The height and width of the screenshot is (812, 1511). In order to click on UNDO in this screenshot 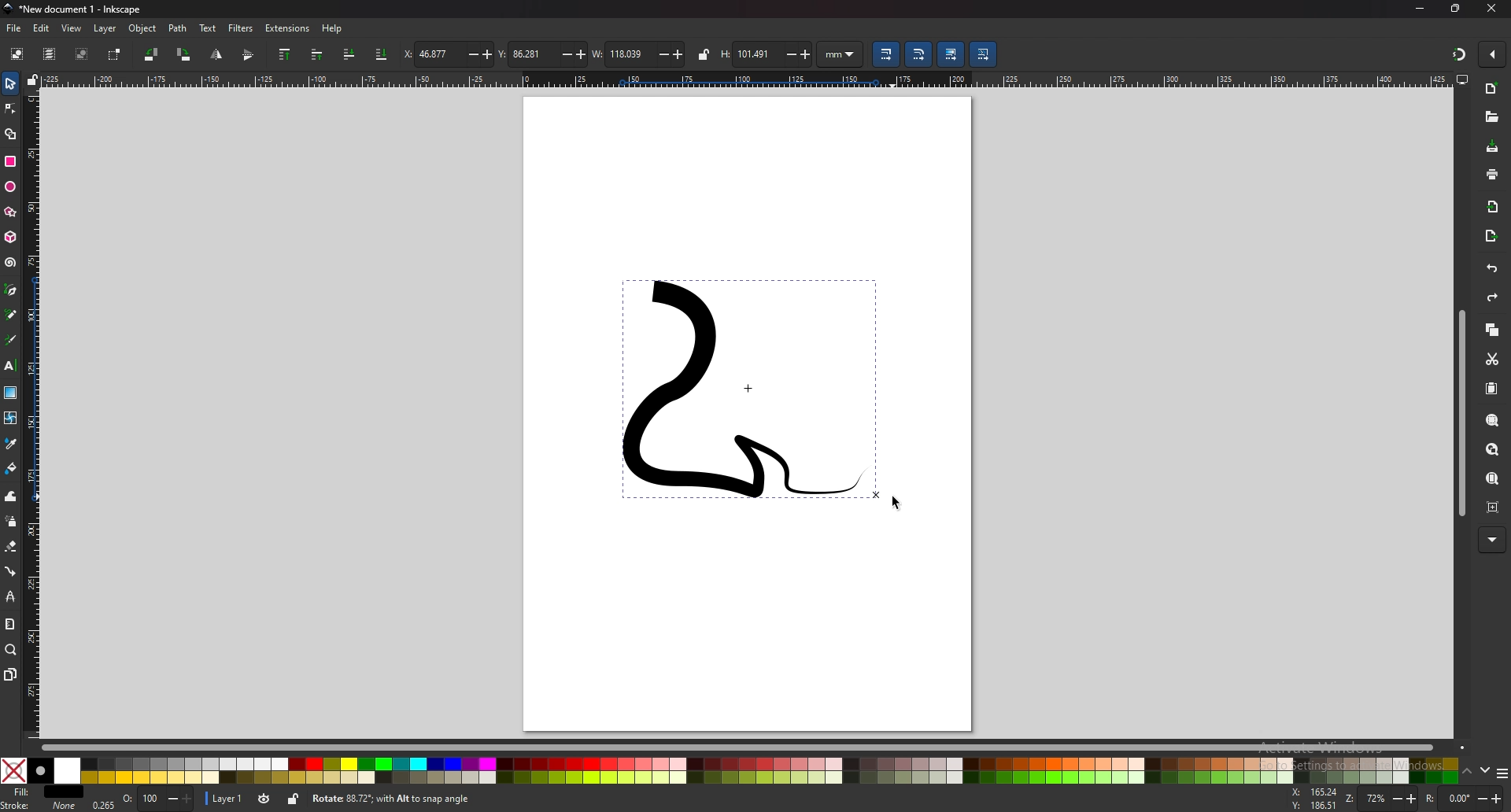, I will do `click(1491, 268)`.